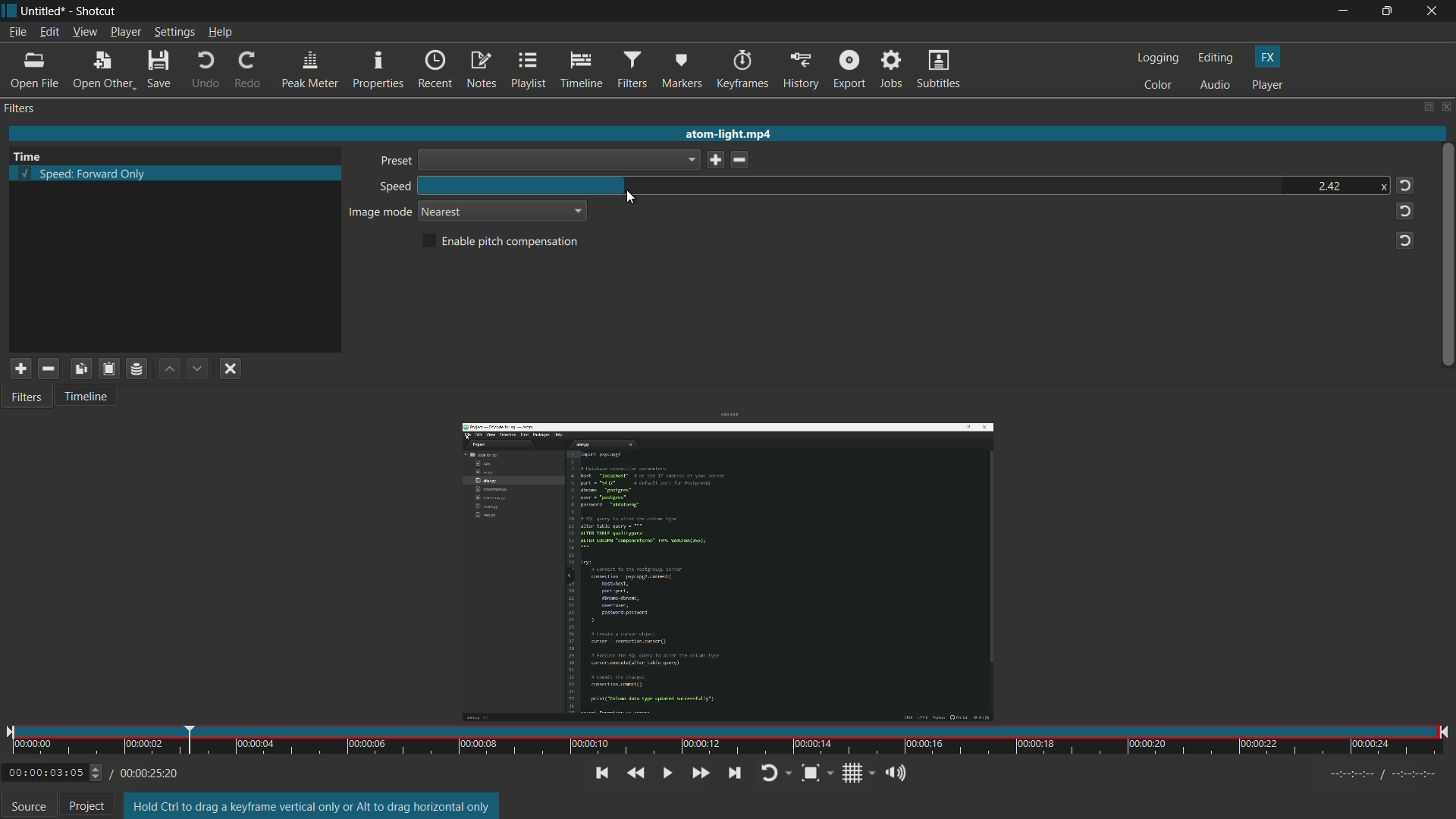 This screenshot has height=819, width=1456. What do you see at coordinates (1341, 11) in the screenshot?
I see `minimize` at bounding box center [1341, 11].